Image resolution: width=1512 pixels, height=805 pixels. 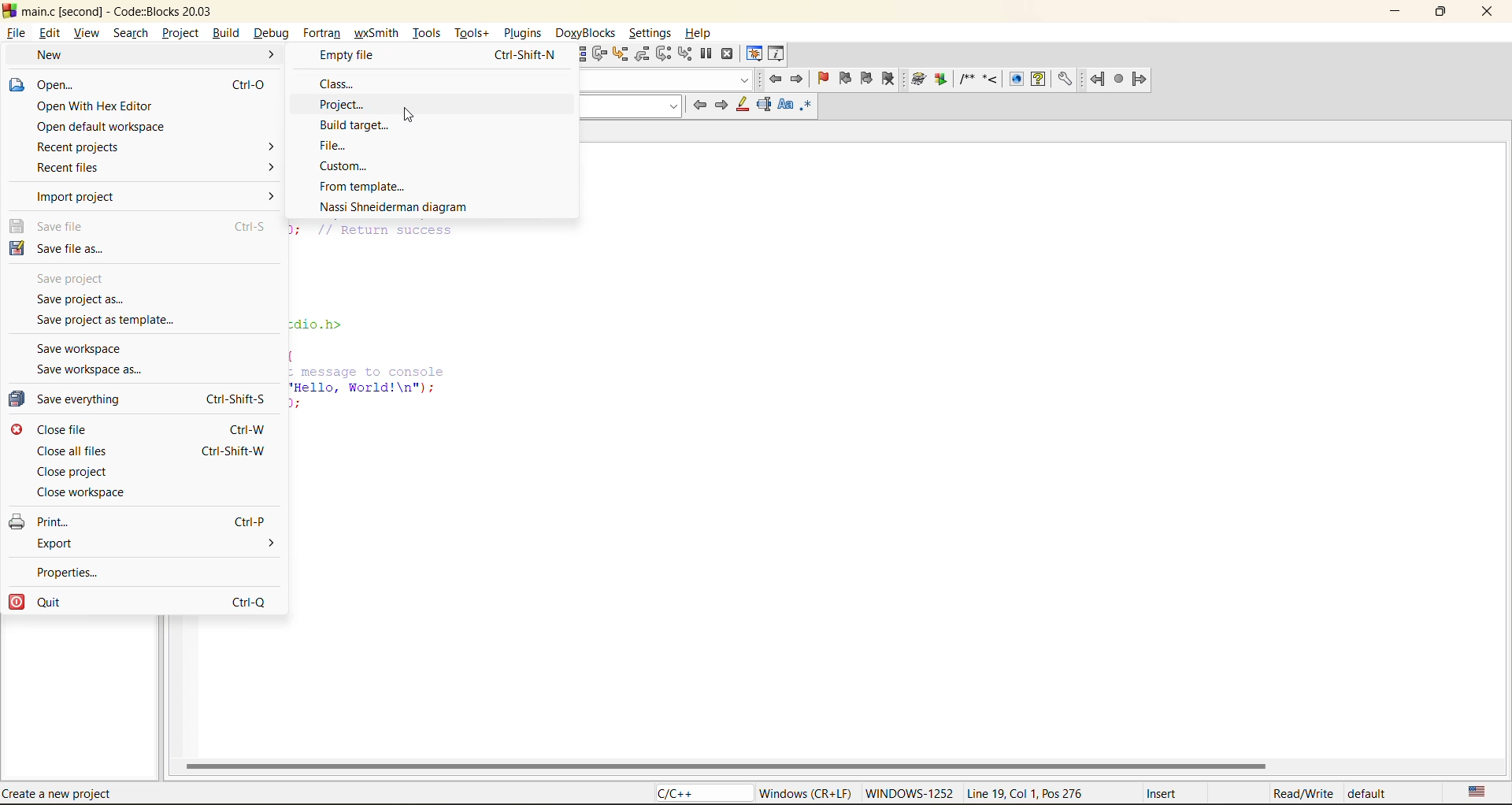 I want to click on tools+, so click(x=471, y=33).